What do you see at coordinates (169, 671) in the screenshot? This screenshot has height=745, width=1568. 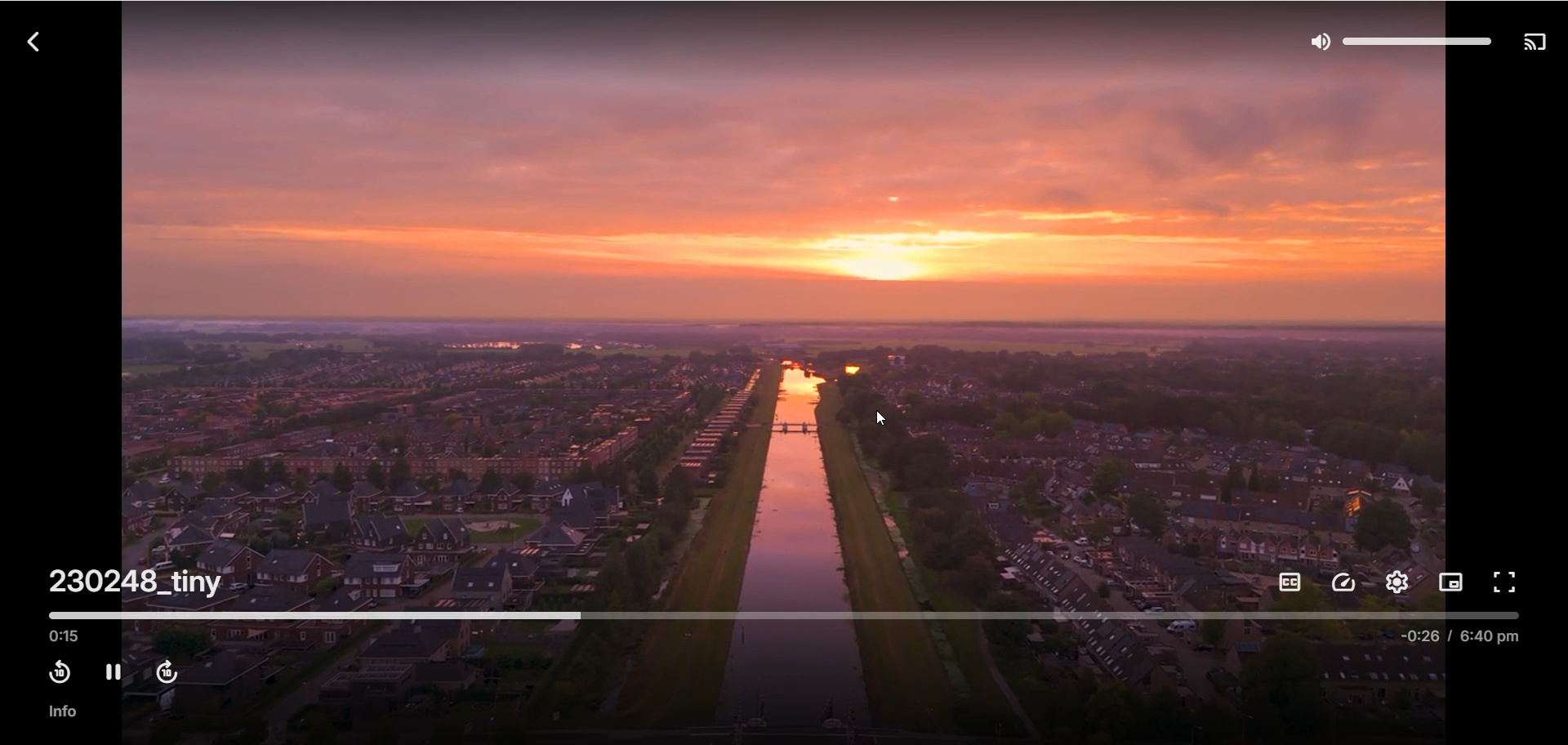 I see `fast forward` at bounding box center [169, 671].